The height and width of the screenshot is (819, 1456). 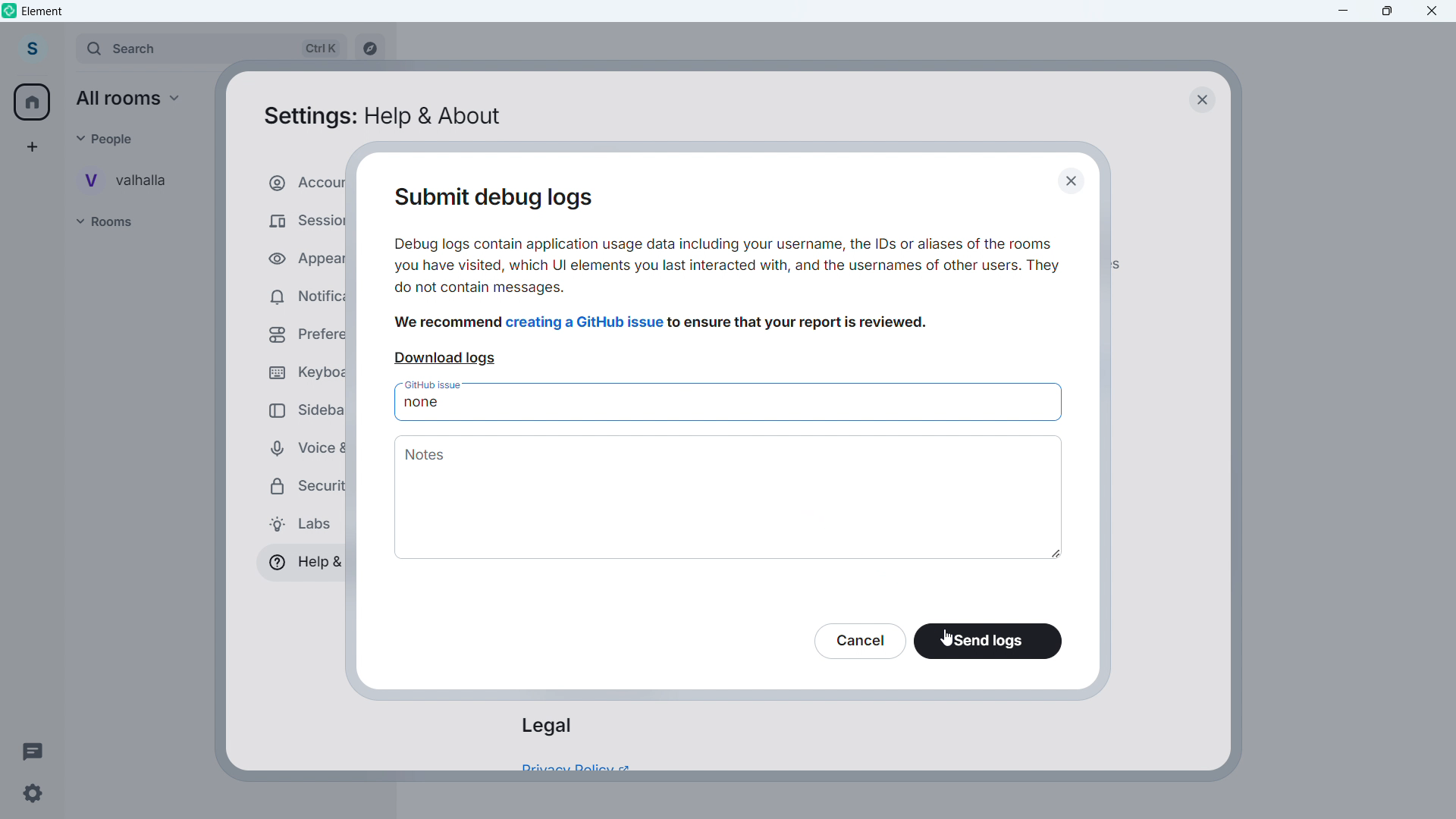 I want to click on legal , so click(x=546, y=726).